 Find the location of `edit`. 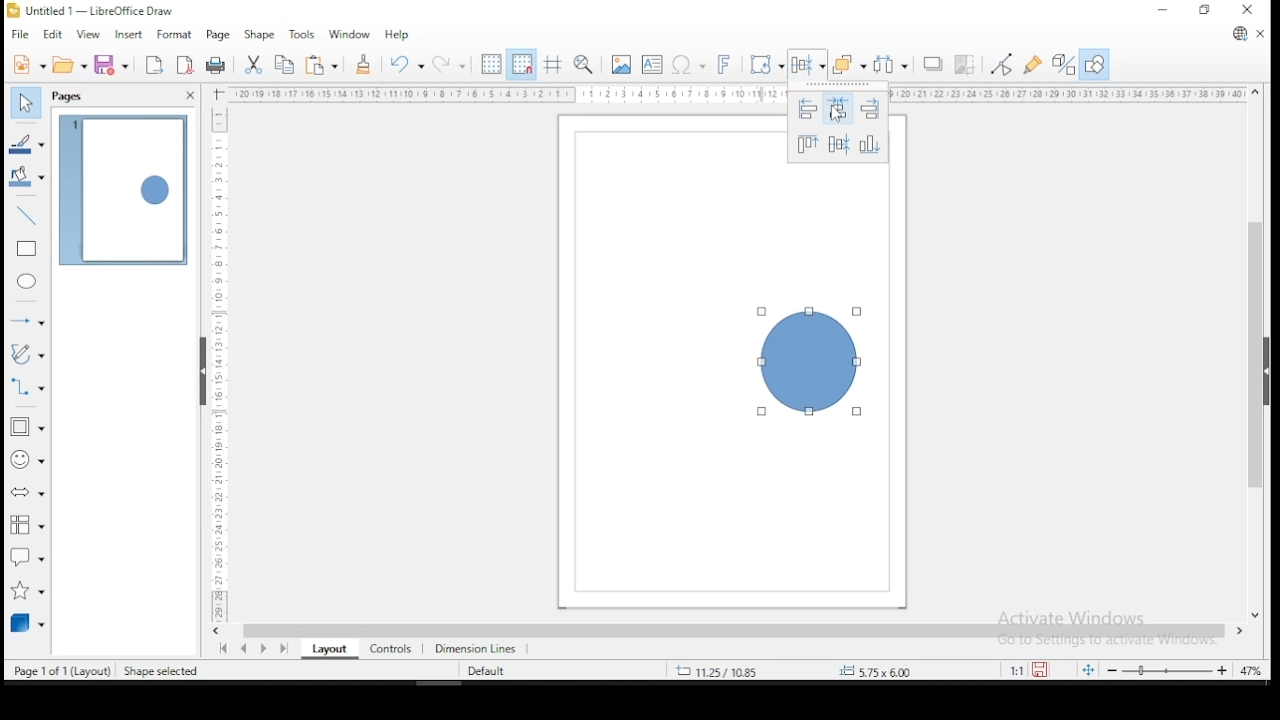

edit is located at coordinates (52, 35).